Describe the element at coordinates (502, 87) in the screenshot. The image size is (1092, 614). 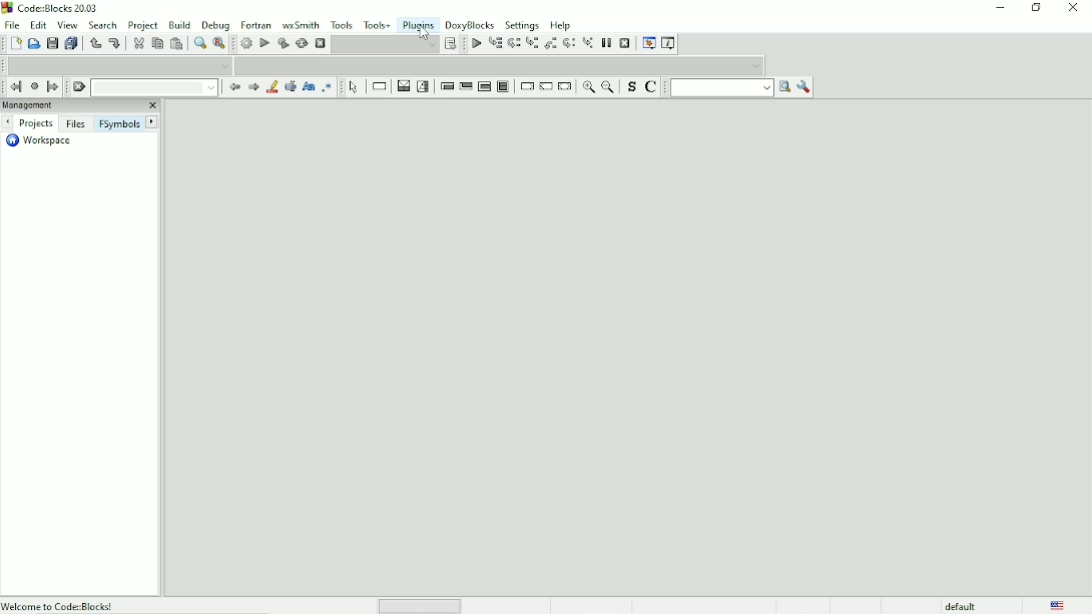
I see `Block instruction` at that location.